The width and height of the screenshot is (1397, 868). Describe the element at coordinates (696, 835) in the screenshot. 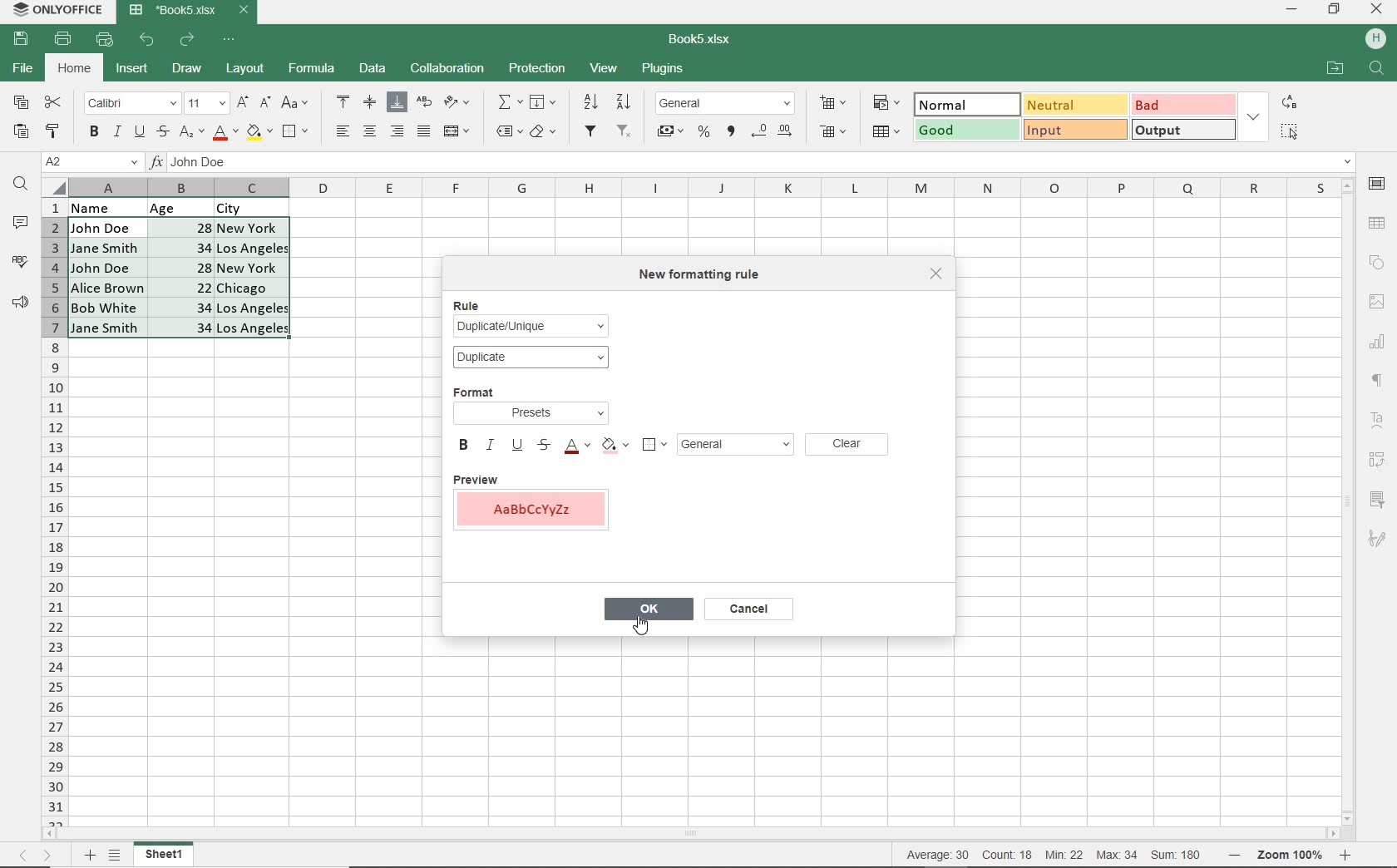

I see `SCROLLBAR` at that location.